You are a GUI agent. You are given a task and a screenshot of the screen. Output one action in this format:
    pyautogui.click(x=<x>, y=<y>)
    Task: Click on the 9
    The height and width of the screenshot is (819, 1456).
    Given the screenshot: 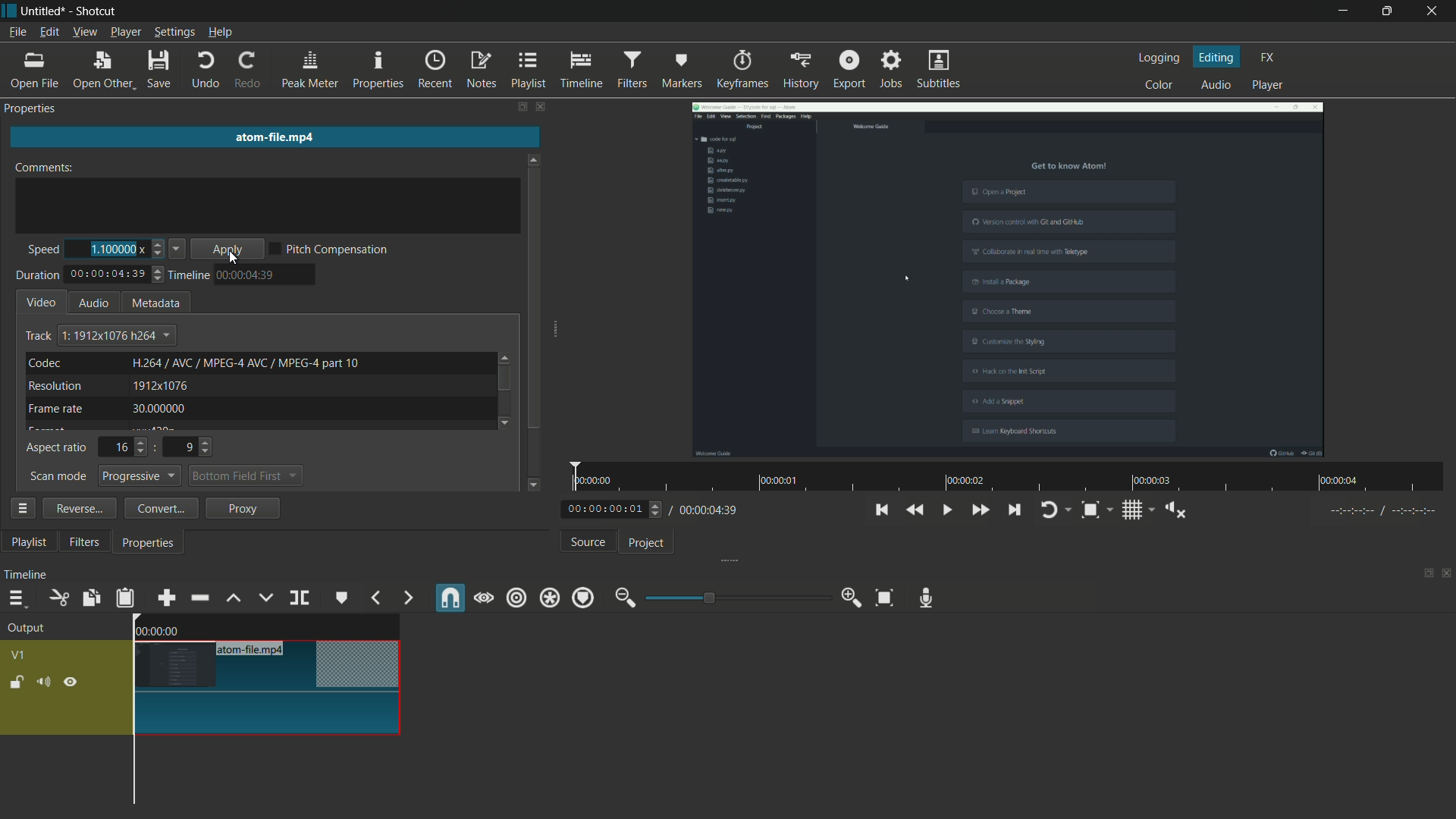 What is the action you would take?
    pyautogui.click(x=194, y=447)
    